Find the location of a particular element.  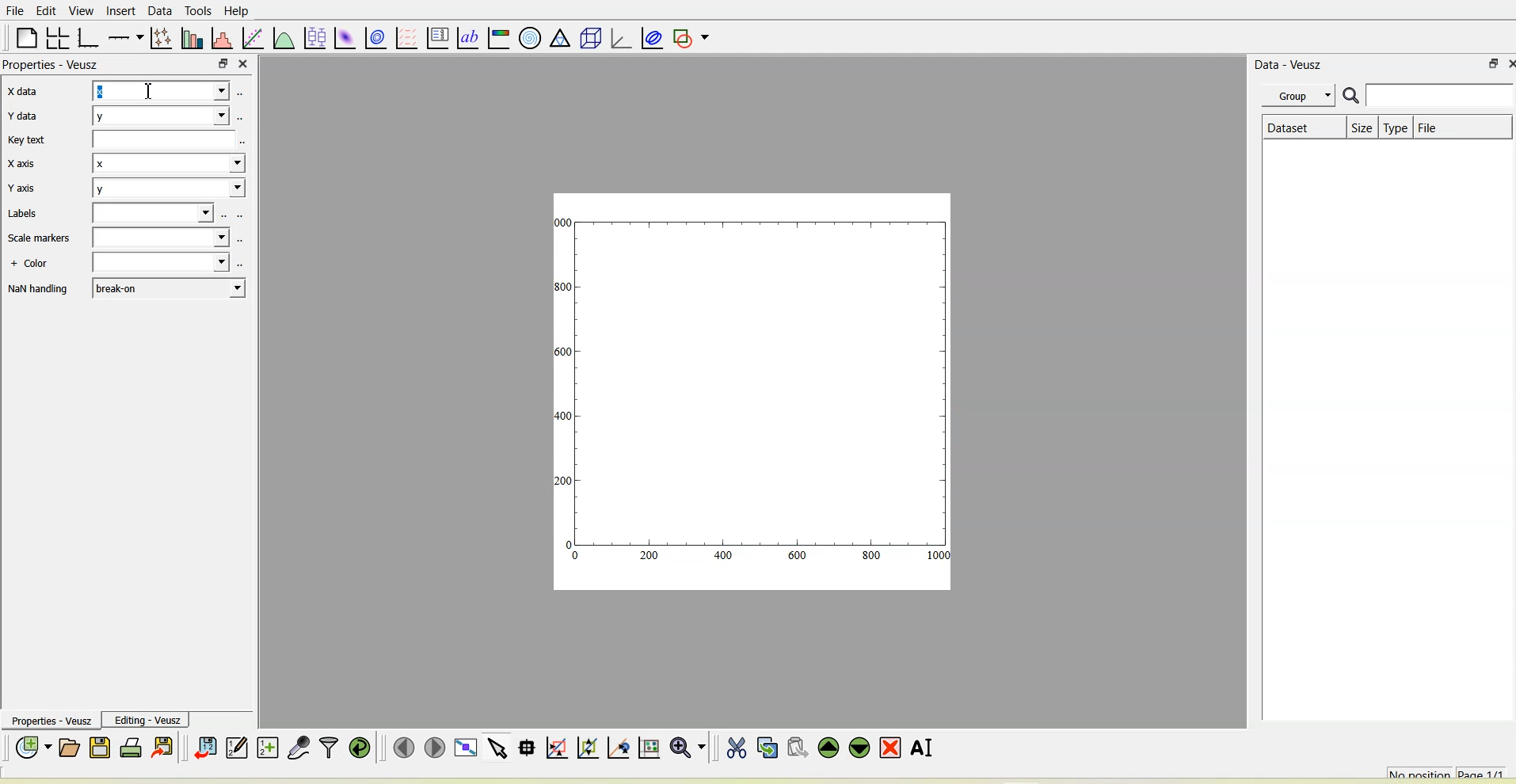

Polar graph is located at coordinates (531, 37).